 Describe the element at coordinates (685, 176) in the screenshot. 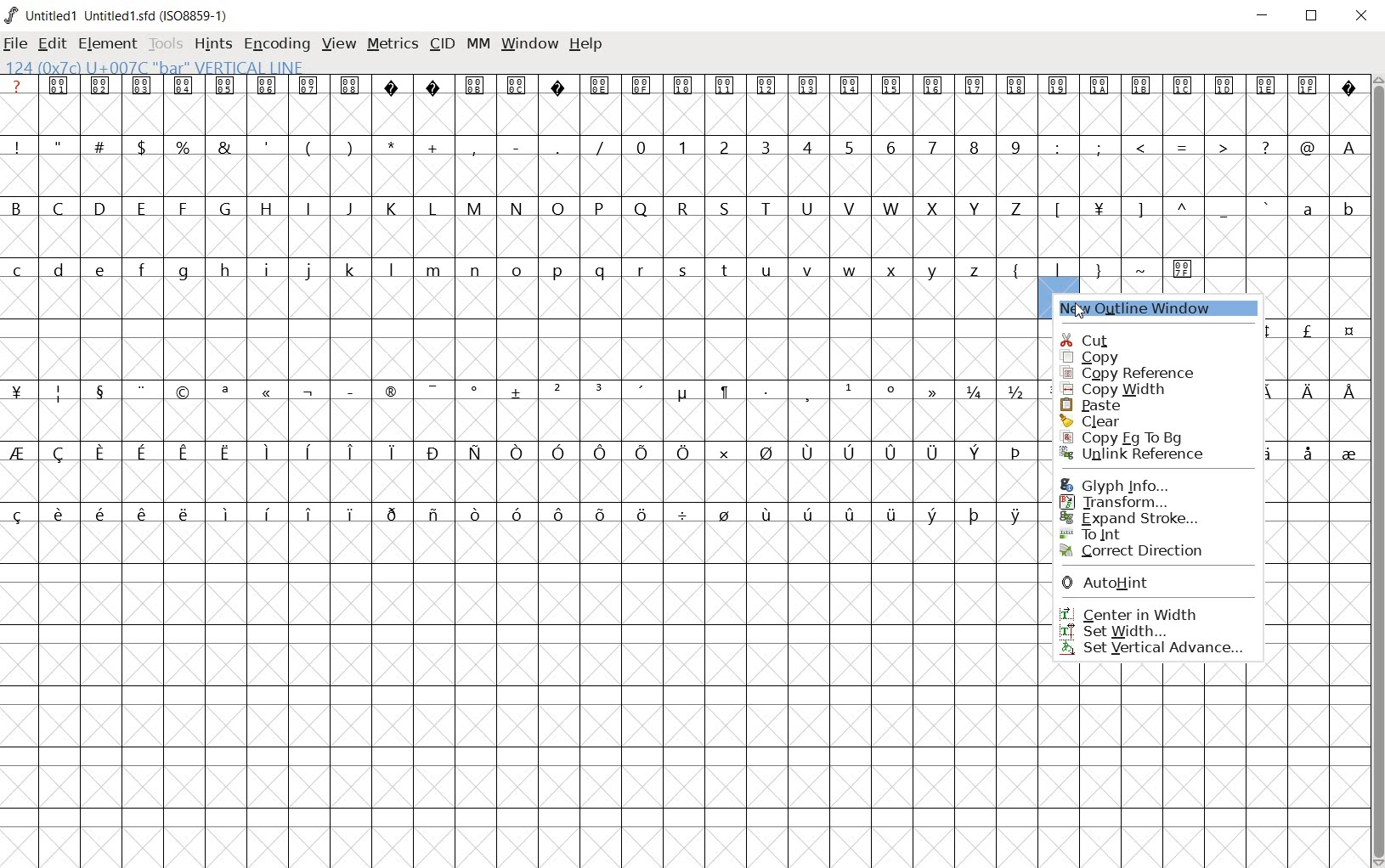

I see `empty cells` at that location.